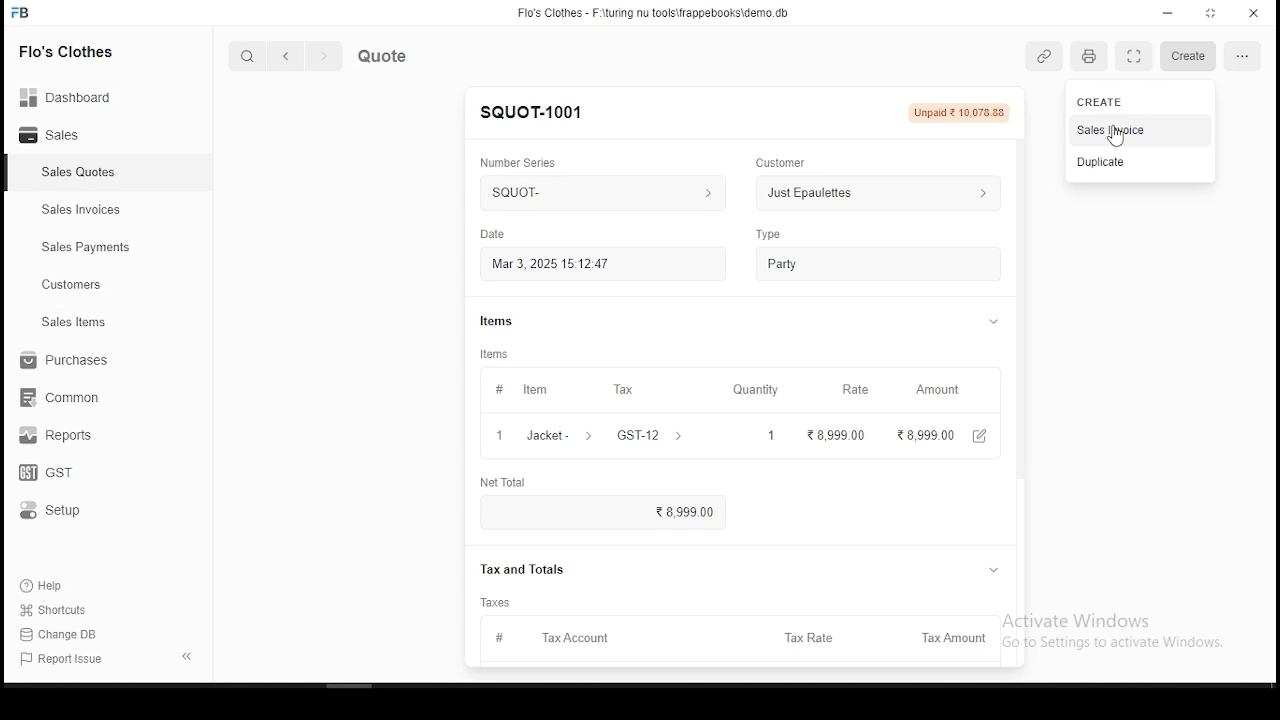 Image resolution: width=1280 pixels, height=720 pixels. What do you see at coordinates (1090, 57) in the screenshot?
I see `printer` at bounding box center [1090, 57].